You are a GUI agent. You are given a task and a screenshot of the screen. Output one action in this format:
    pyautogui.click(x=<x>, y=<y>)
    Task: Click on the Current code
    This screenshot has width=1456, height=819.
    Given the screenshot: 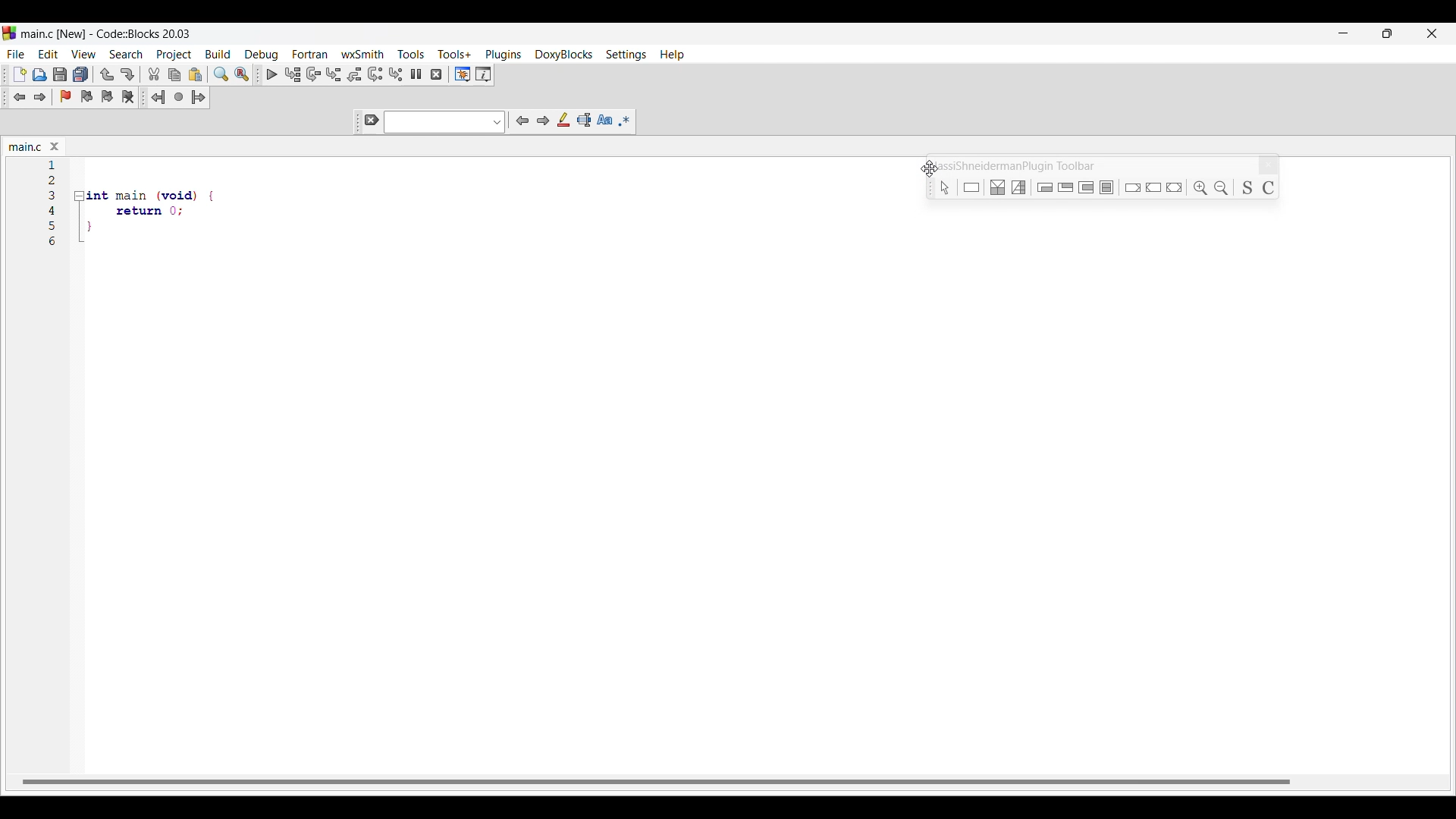 What is the action you would take?
    pyautogui.click(x=53, y=165)
    